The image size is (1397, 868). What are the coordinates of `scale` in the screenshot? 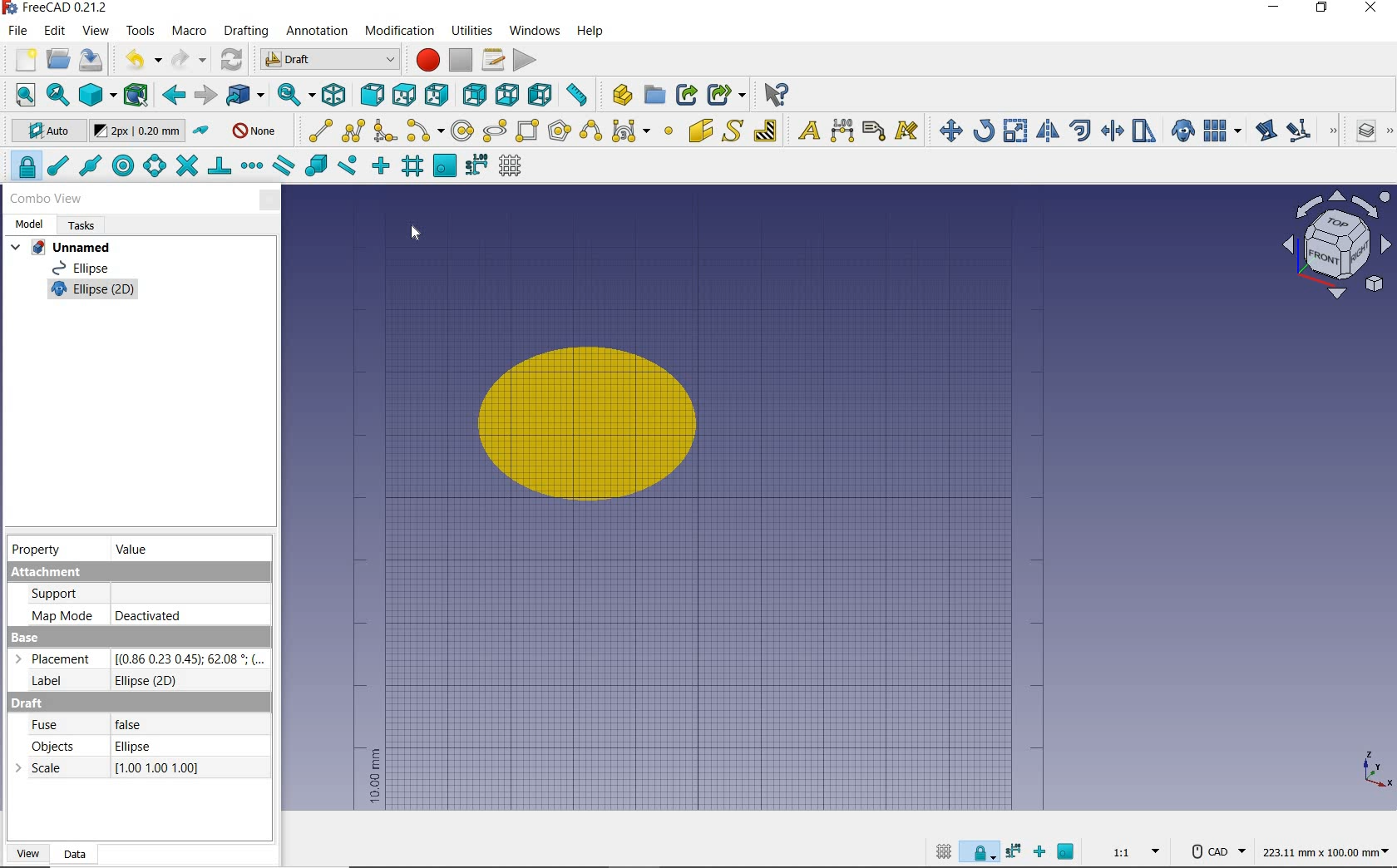 It's located at (1016, 130).